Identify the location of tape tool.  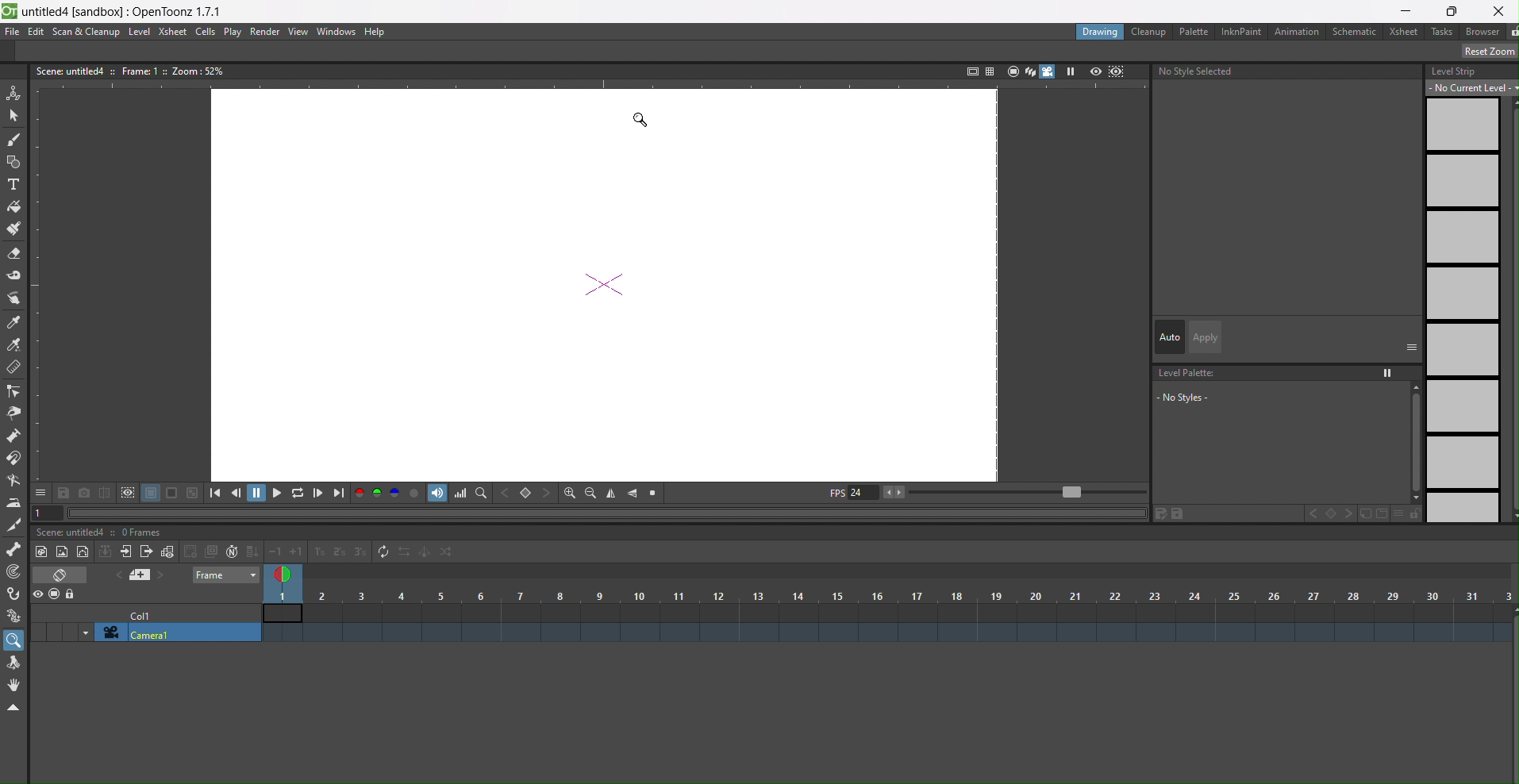
(14, 277).